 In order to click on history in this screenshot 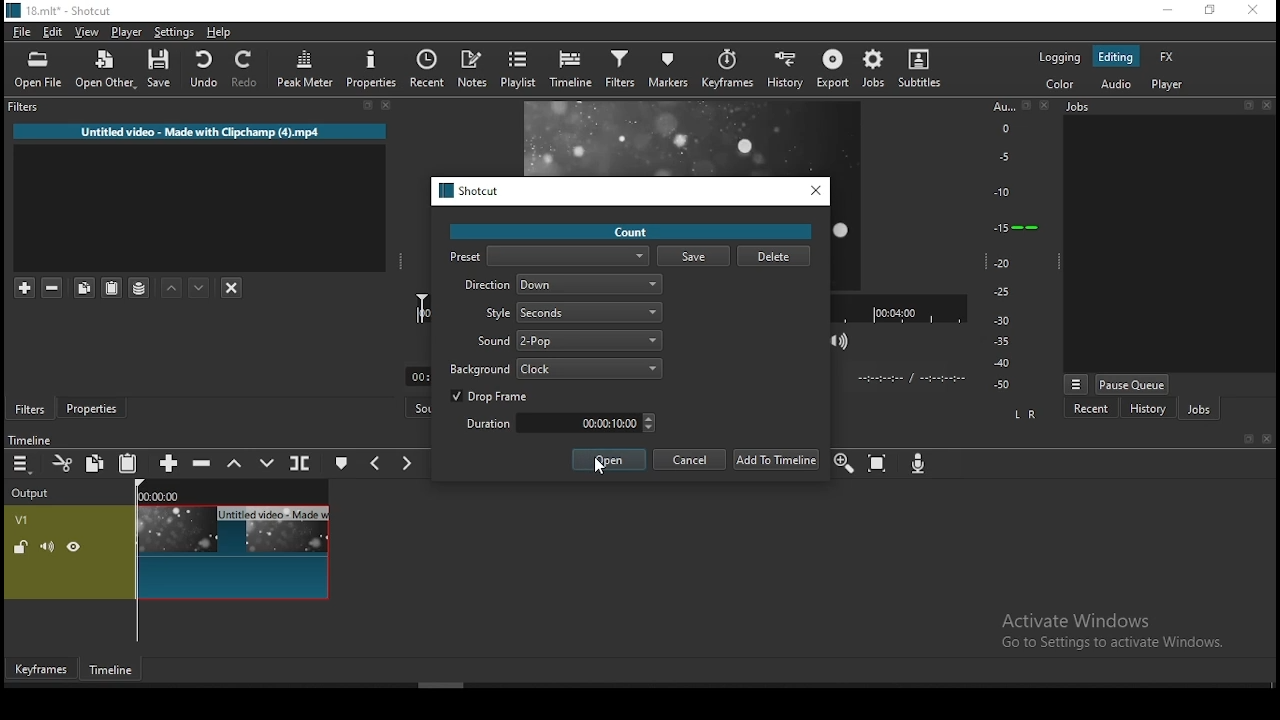, I will do `click(1147, 410)`.